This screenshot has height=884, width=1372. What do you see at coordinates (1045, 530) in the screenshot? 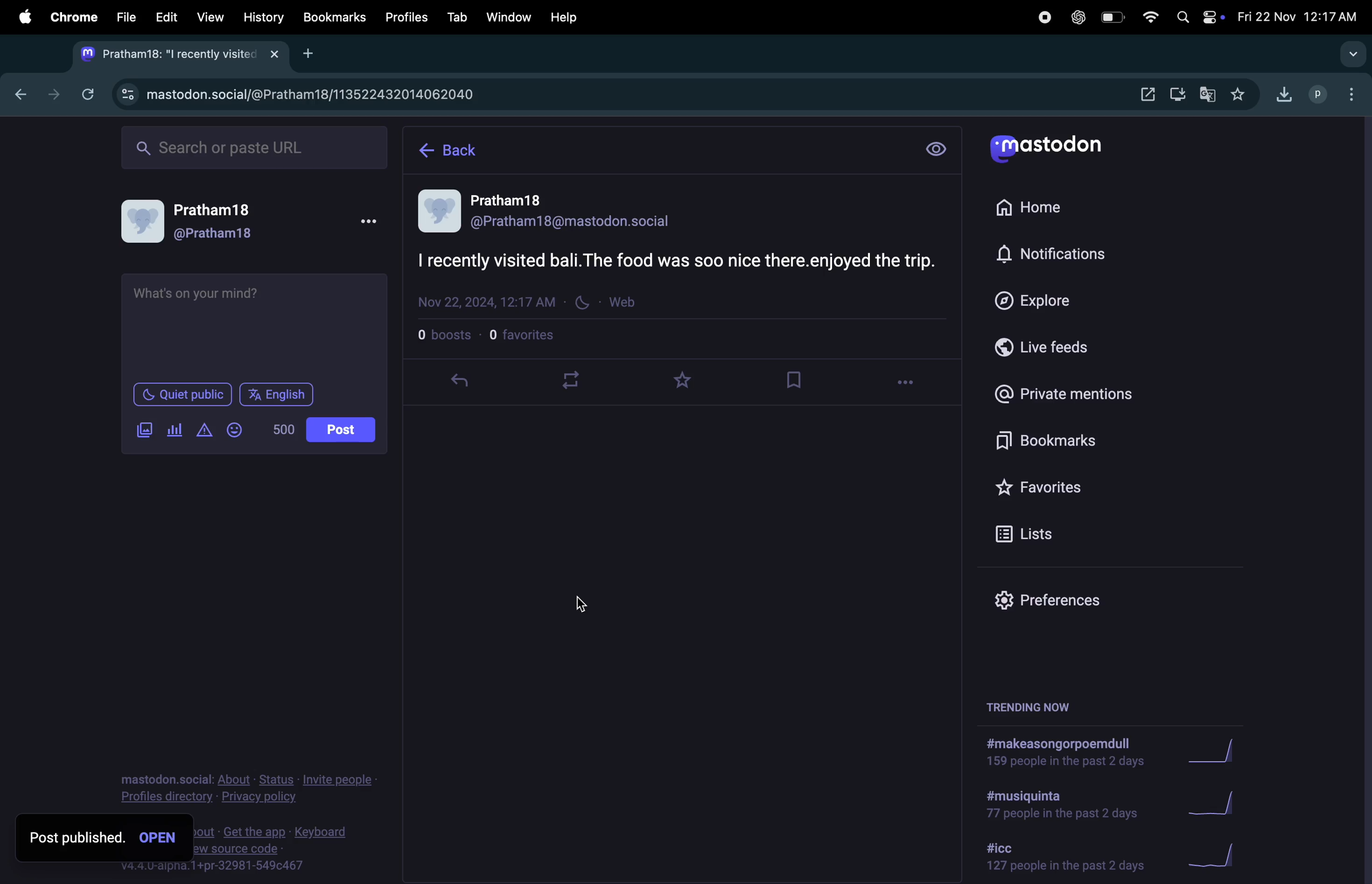
I see `lists` at bounding box center [1045, 530].